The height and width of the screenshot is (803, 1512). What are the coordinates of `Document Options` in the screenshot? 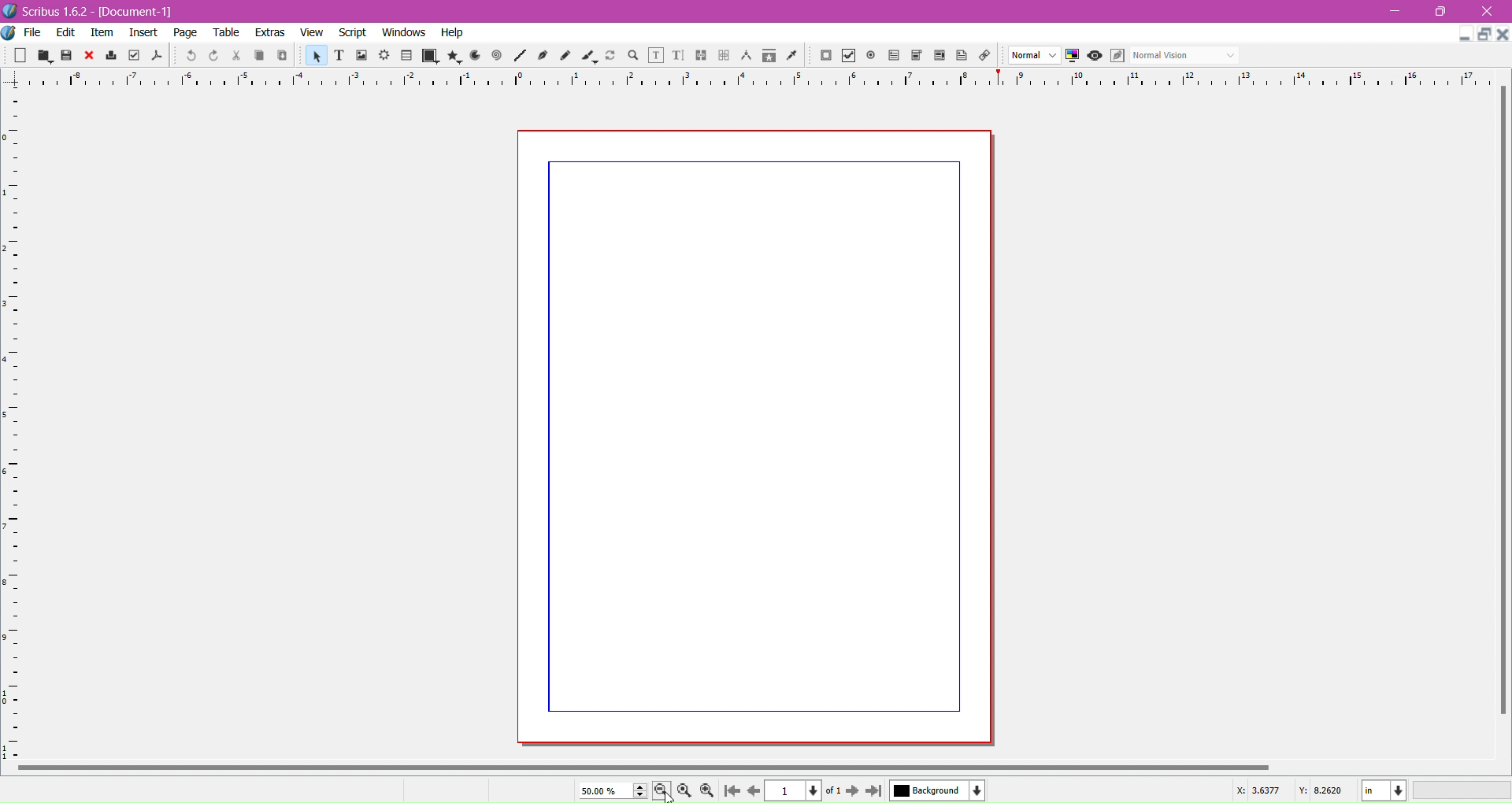 It's located at (9, 33).